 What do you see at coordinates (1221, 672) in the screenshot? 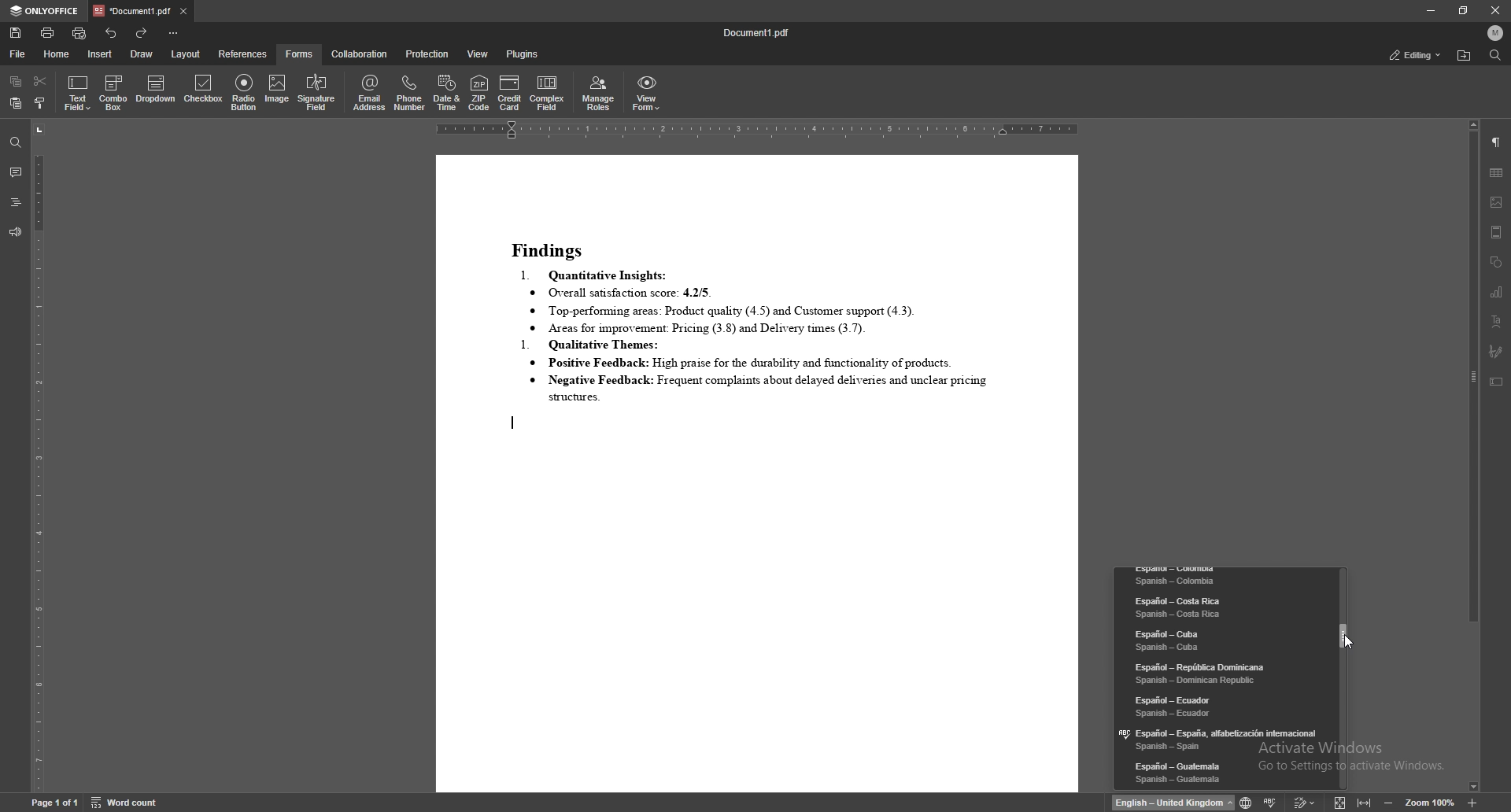
I see `language` at bounding box center [1221, 672].